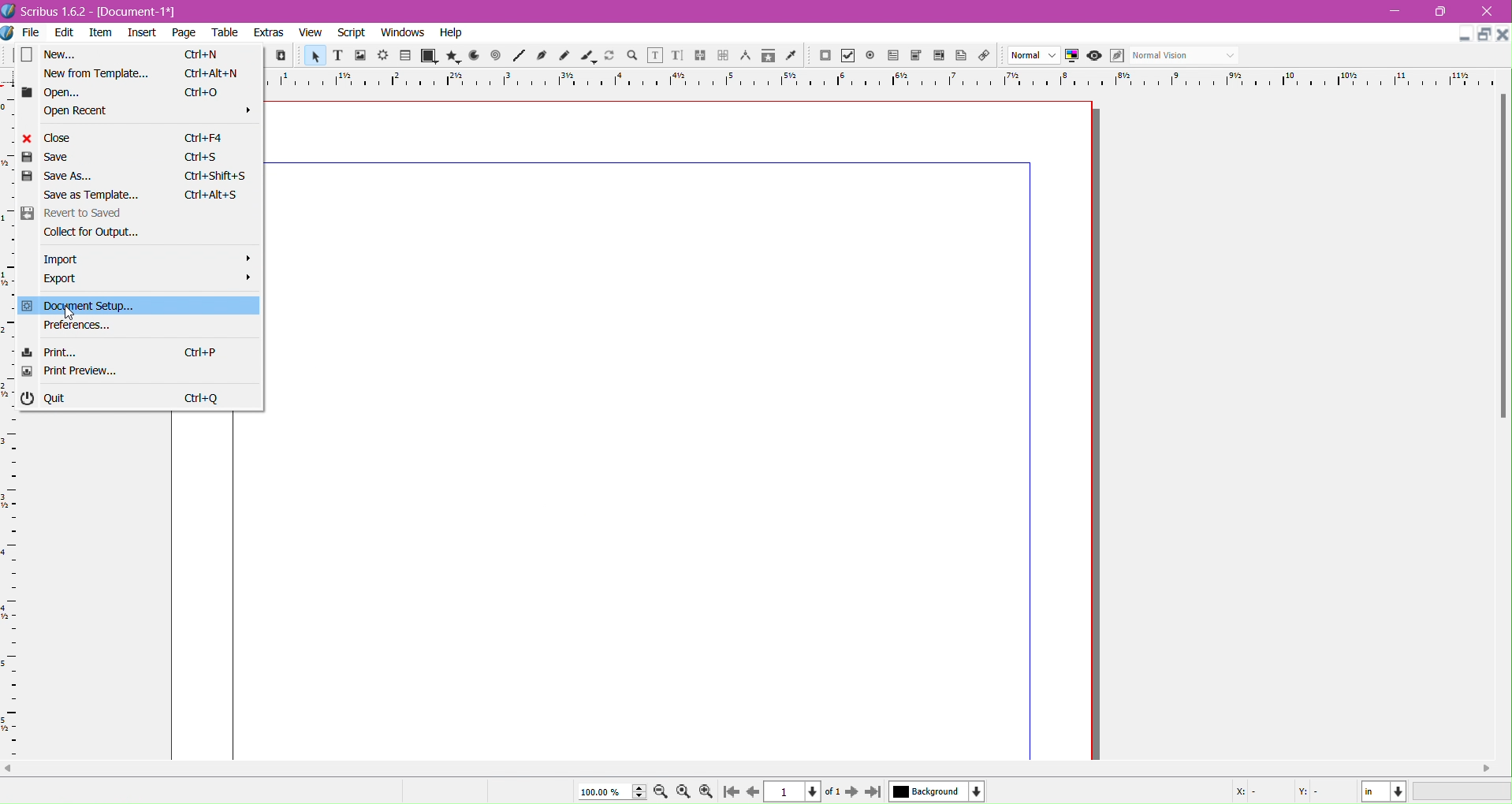 This screenshot has height=804, width=1512. Describe the element at coordinates (1072, 56) in the screenshot. I see `color management system` at that location.